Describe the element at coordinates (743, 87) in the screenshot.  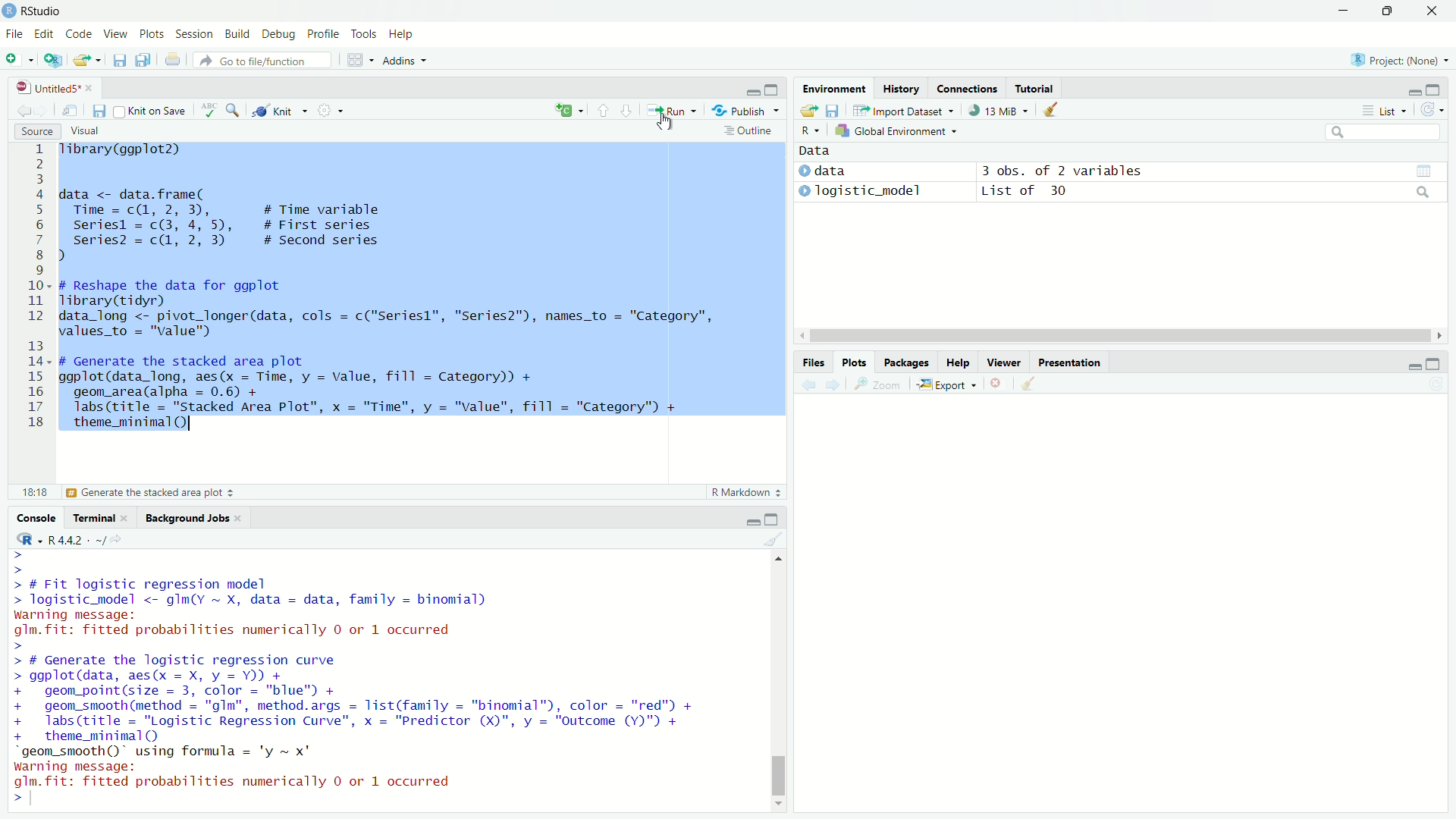
I see `minimise` at that location.